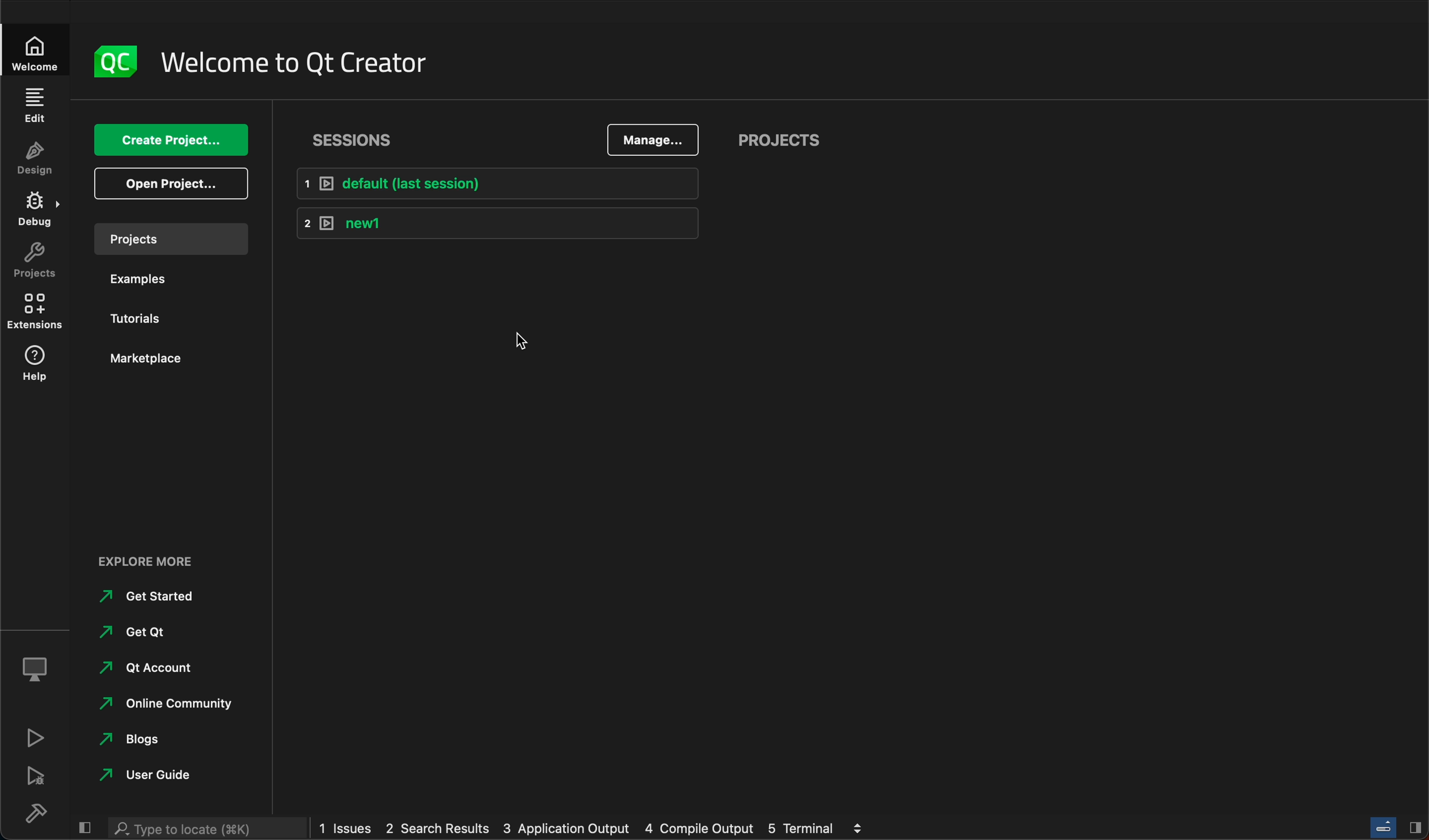  Describe the element at coordinates (37, 736) in the screenshot. I see `run` at that location.